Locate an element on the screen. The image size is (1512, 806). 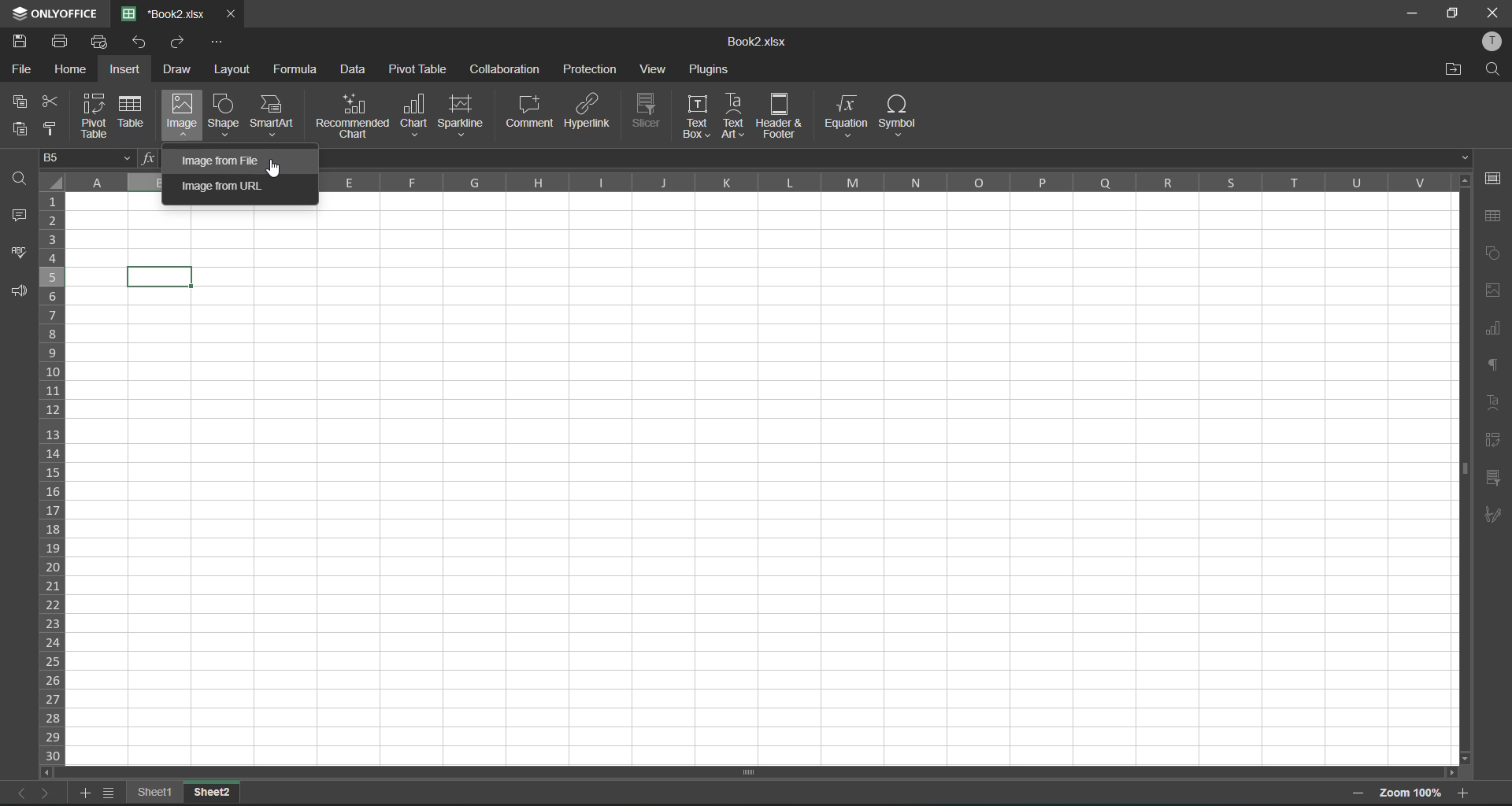
column names is located at coordinates (880, 185).